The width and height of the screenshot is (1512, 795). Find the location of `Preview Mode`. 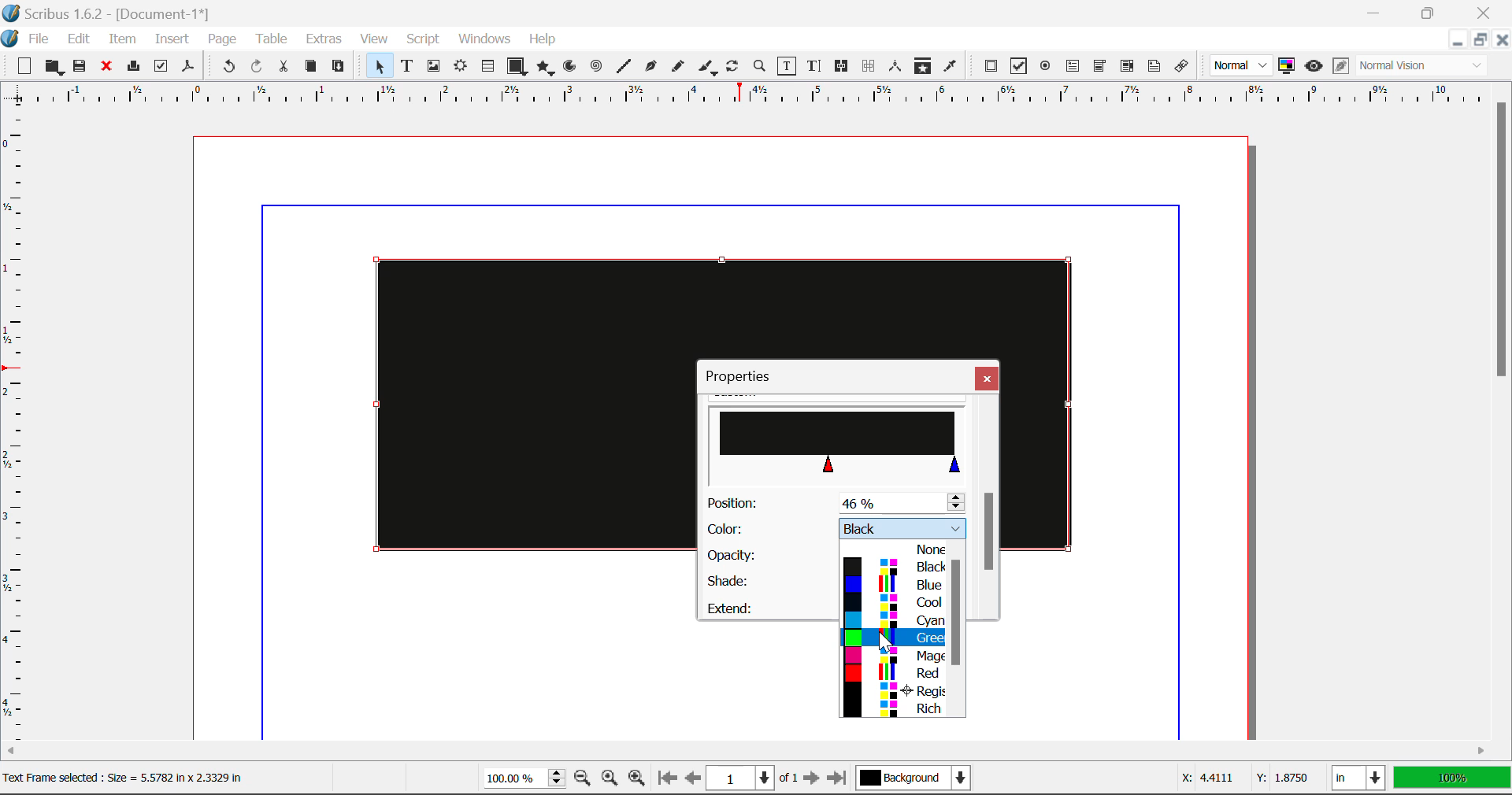

Preview Mode is located at coordinates (1314, 66).